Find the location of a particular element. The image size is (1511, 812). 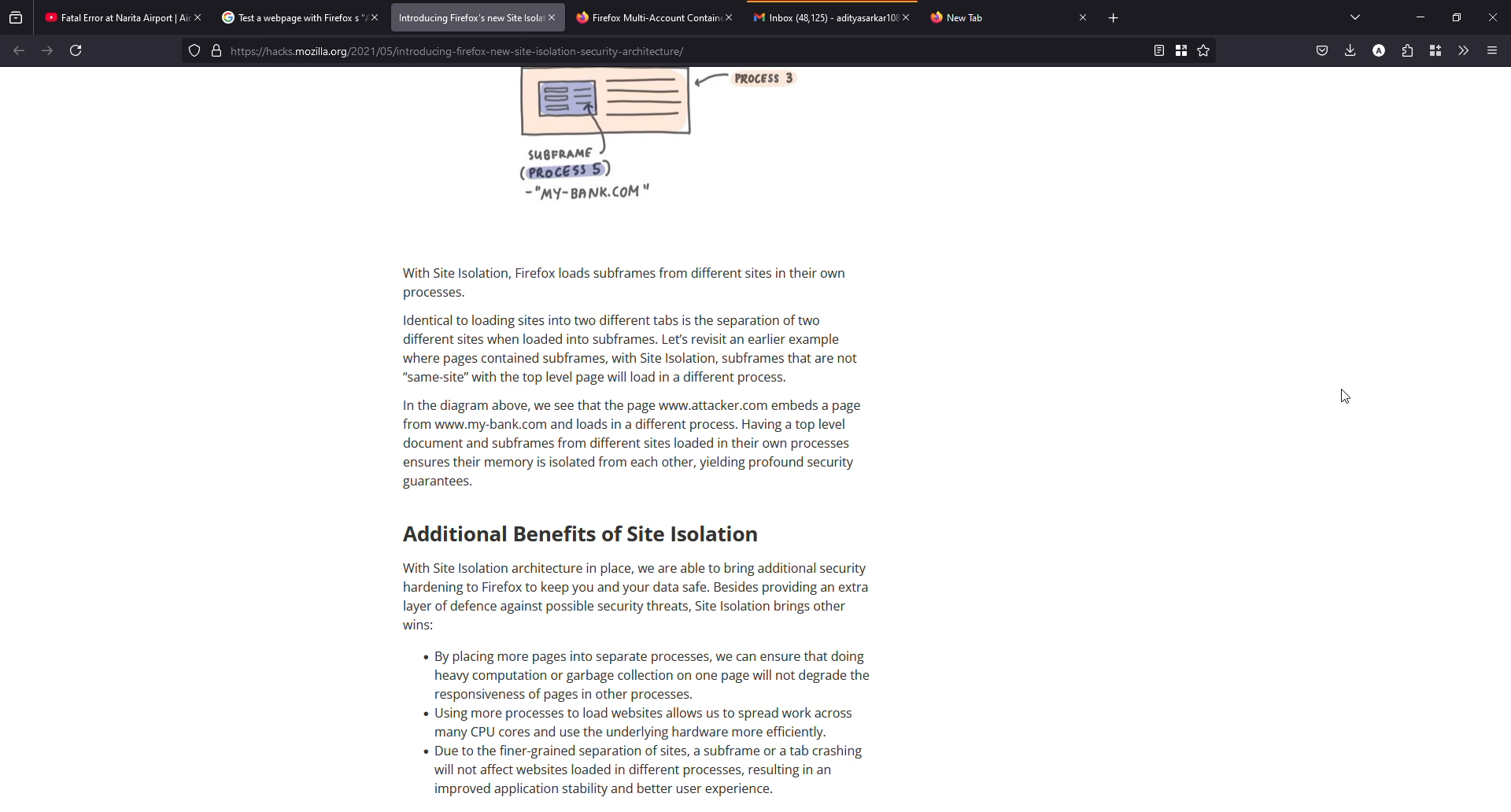

close is located at coordinates (731, 17).